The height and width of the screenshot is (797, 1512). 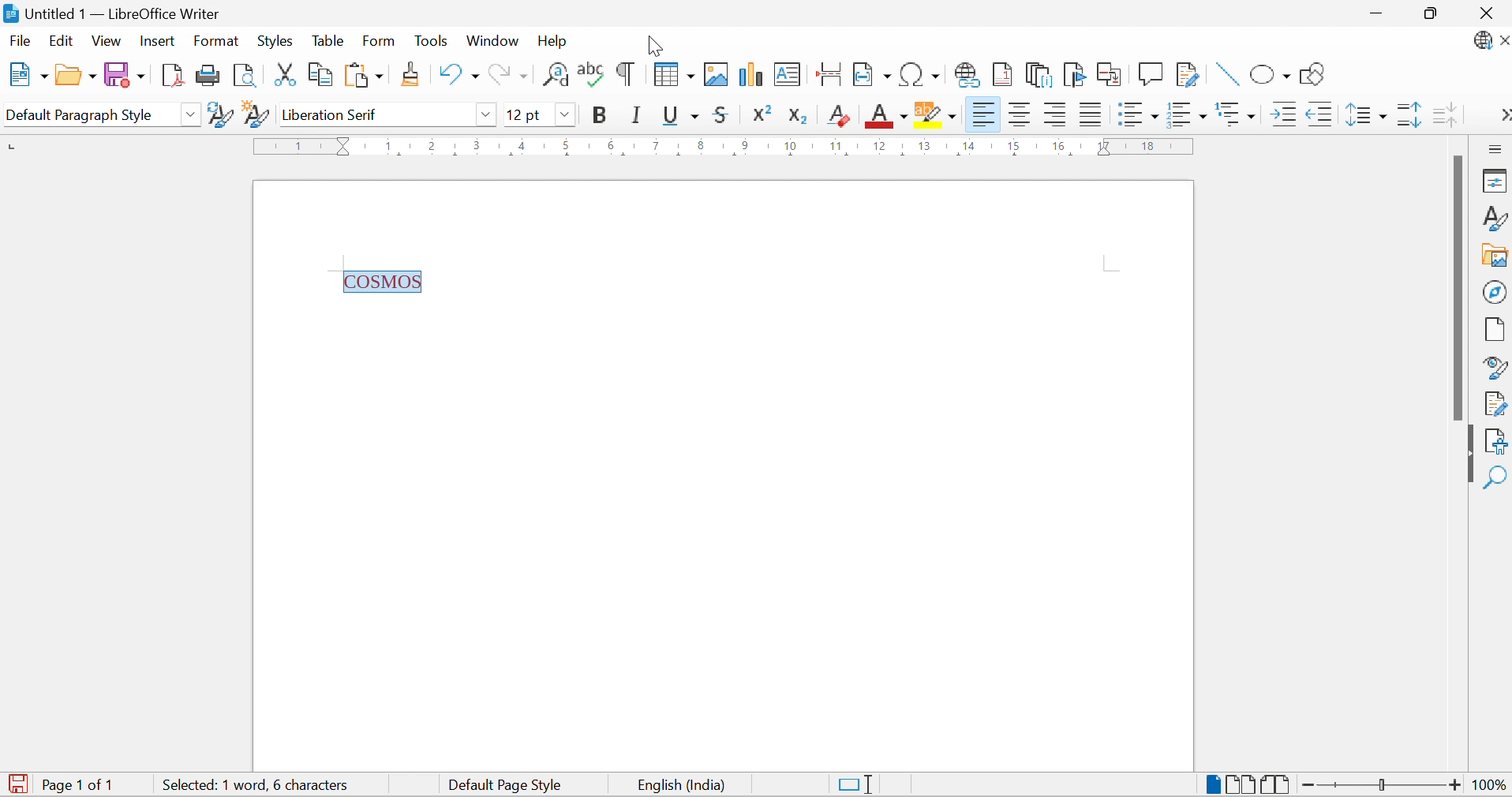 I want to click on Increase Indent, so click(x=1281, y=114).